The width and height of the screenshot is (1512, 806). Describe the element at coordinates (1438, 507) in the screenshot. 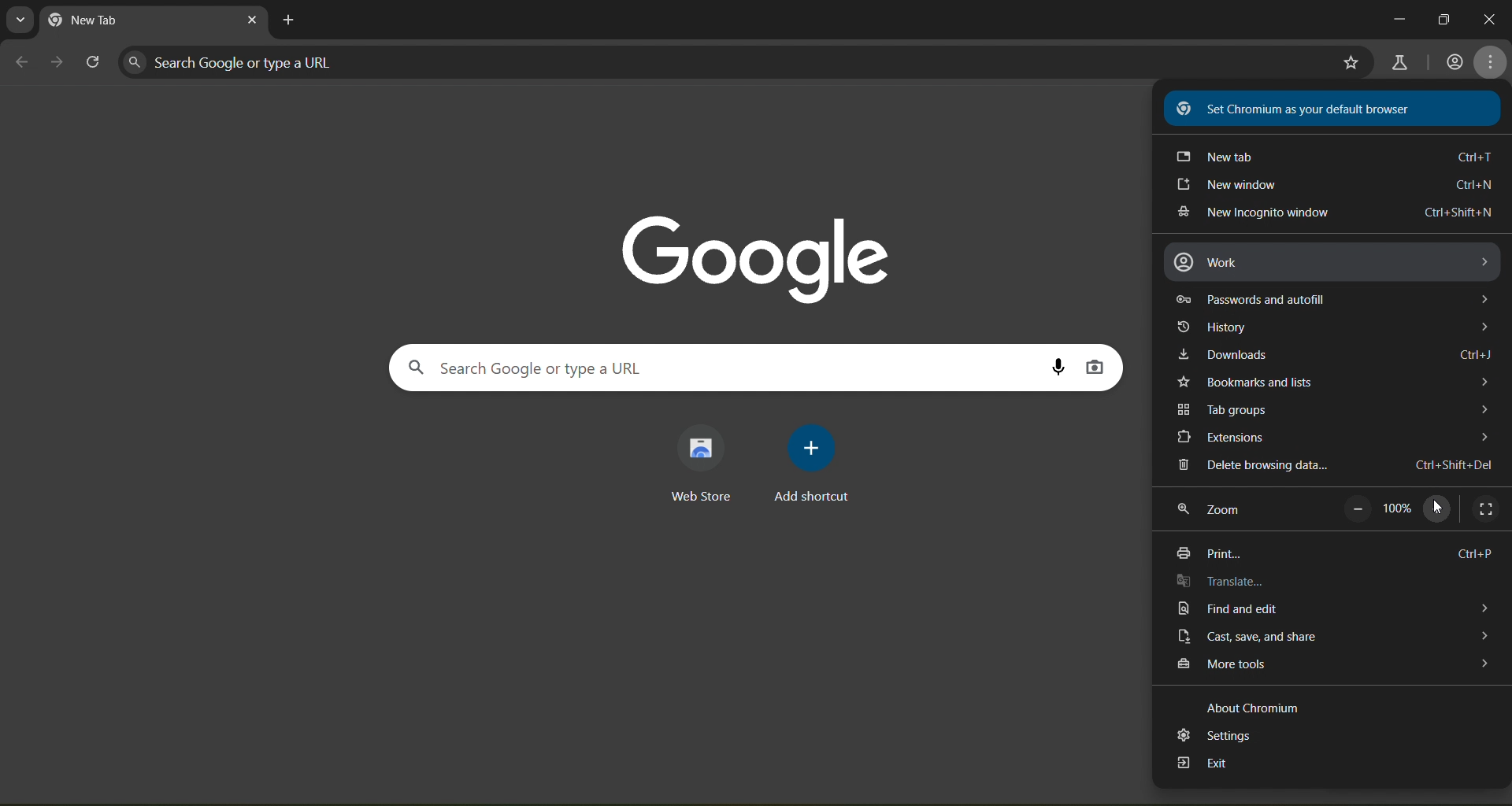

I see `Cursor` at that location.